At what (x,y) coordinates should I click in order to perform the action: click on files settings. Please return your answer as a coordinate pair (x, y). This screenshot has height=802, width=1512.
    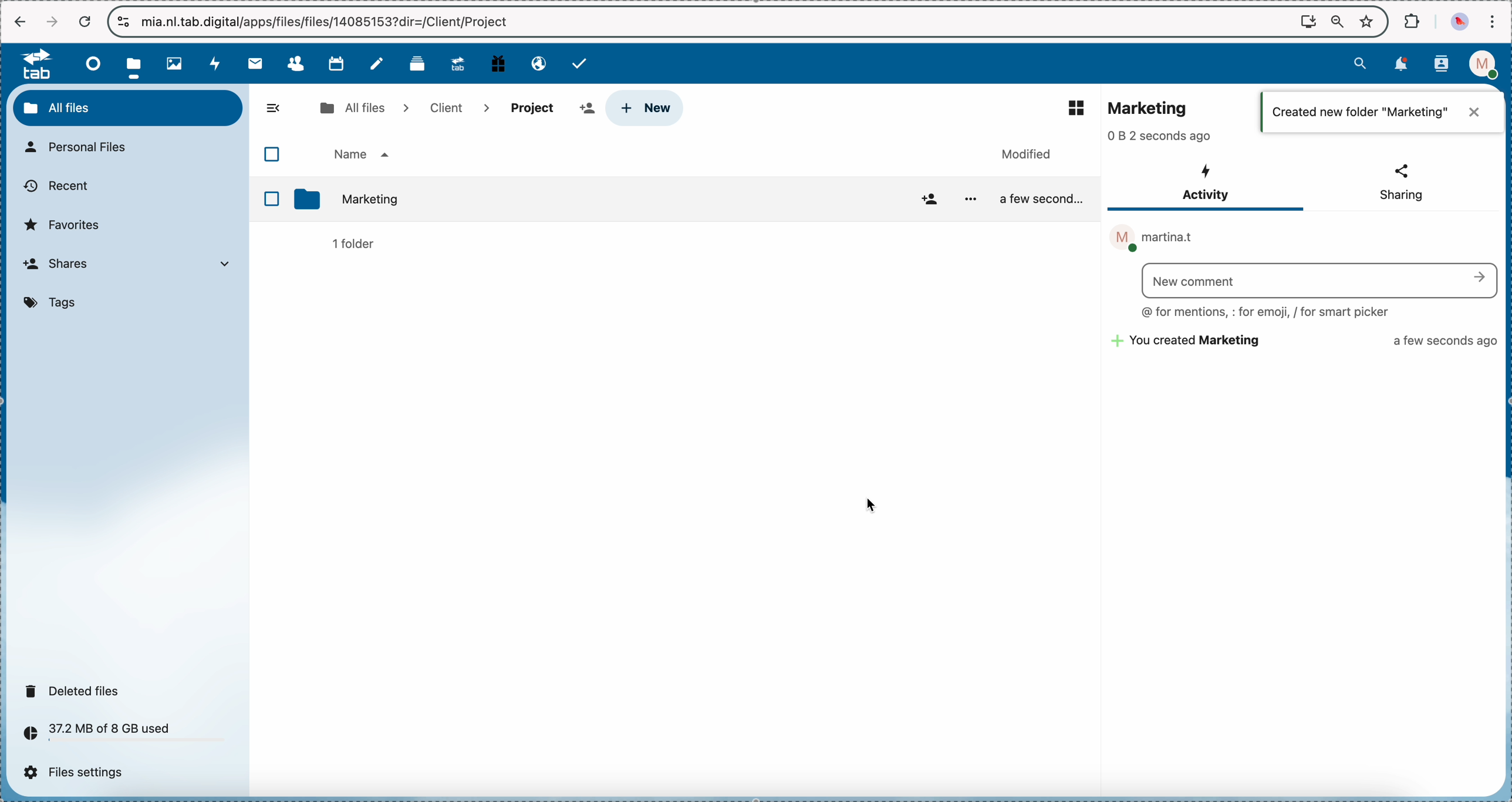
    Looking at the image, I should click on (79, 773).